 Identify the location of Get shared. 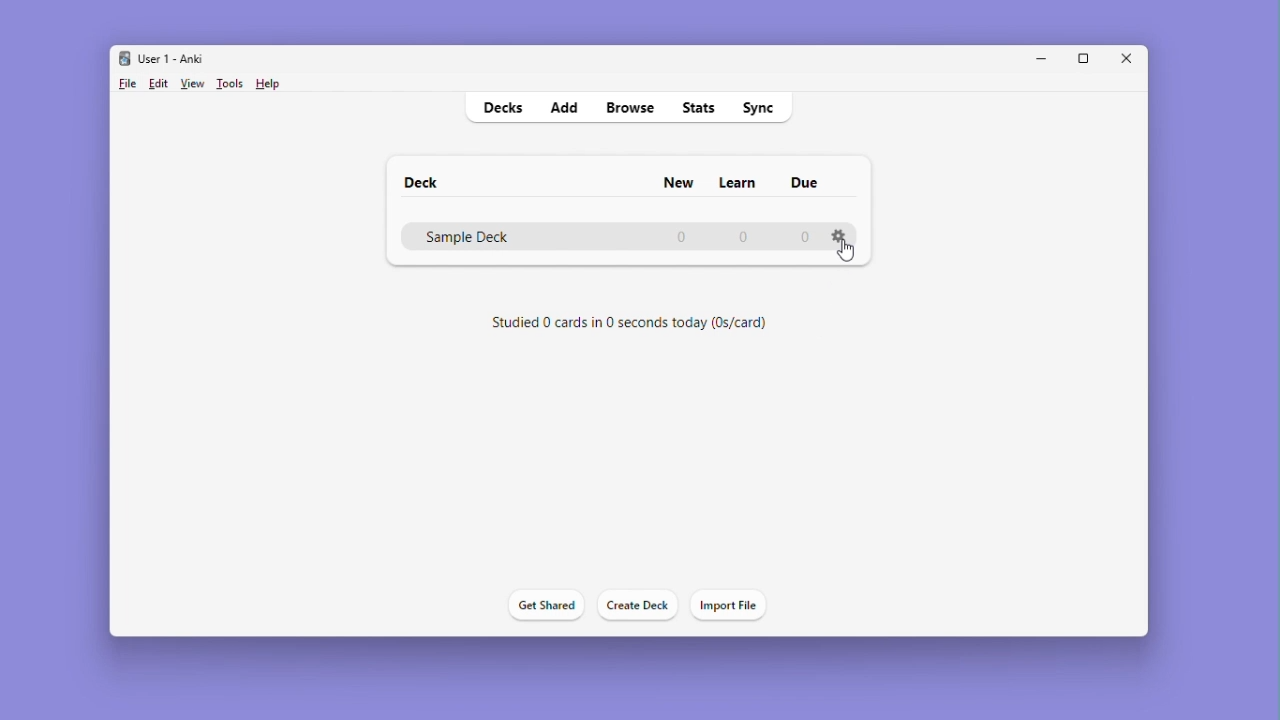
(540, 607).